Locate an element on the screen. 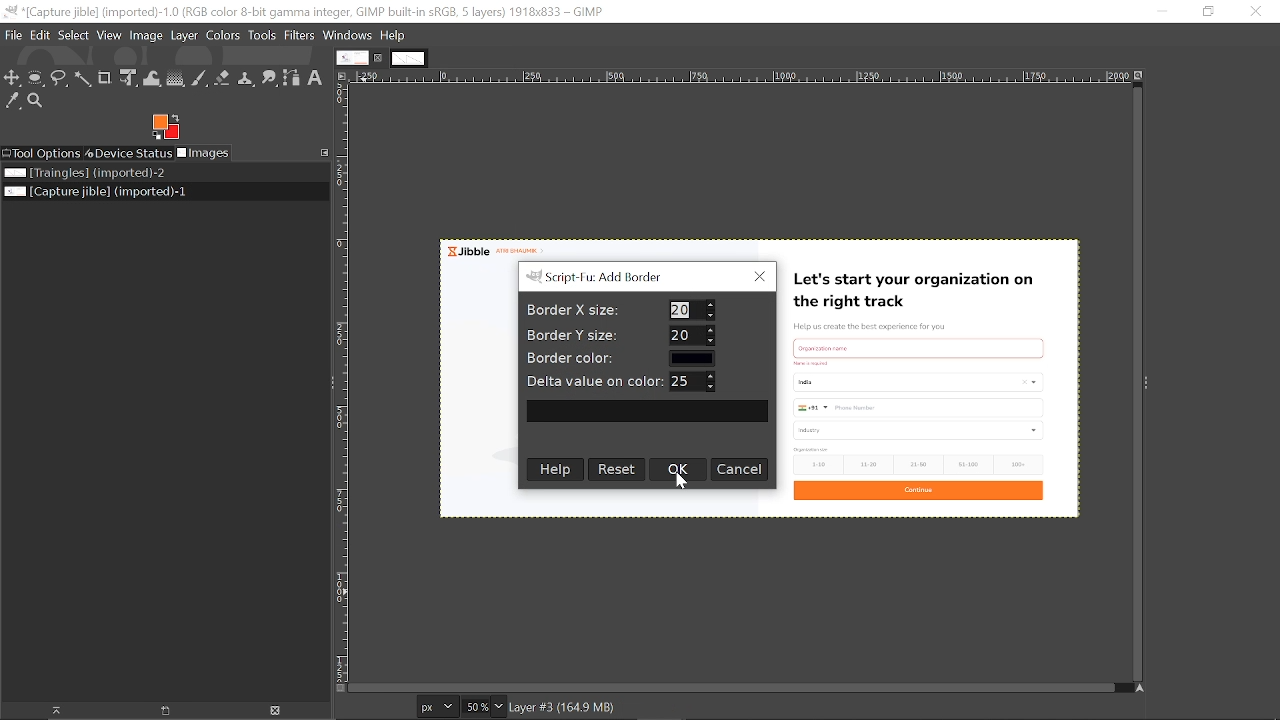  Border X size is located at coordinates (691, 310).